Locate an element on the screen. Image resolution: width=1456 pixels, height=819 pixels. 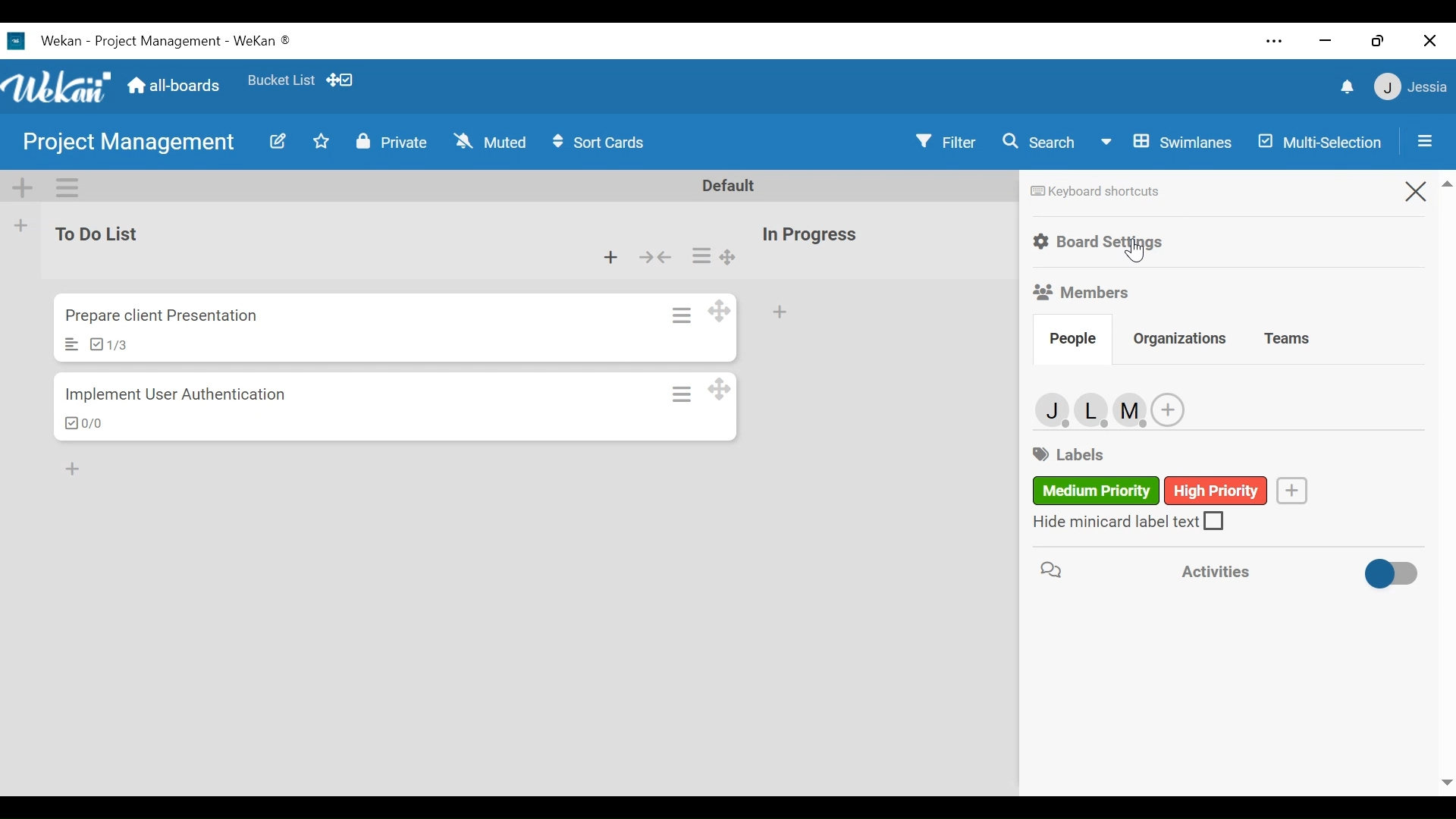
notifications is located at coordinates (1348, 86).